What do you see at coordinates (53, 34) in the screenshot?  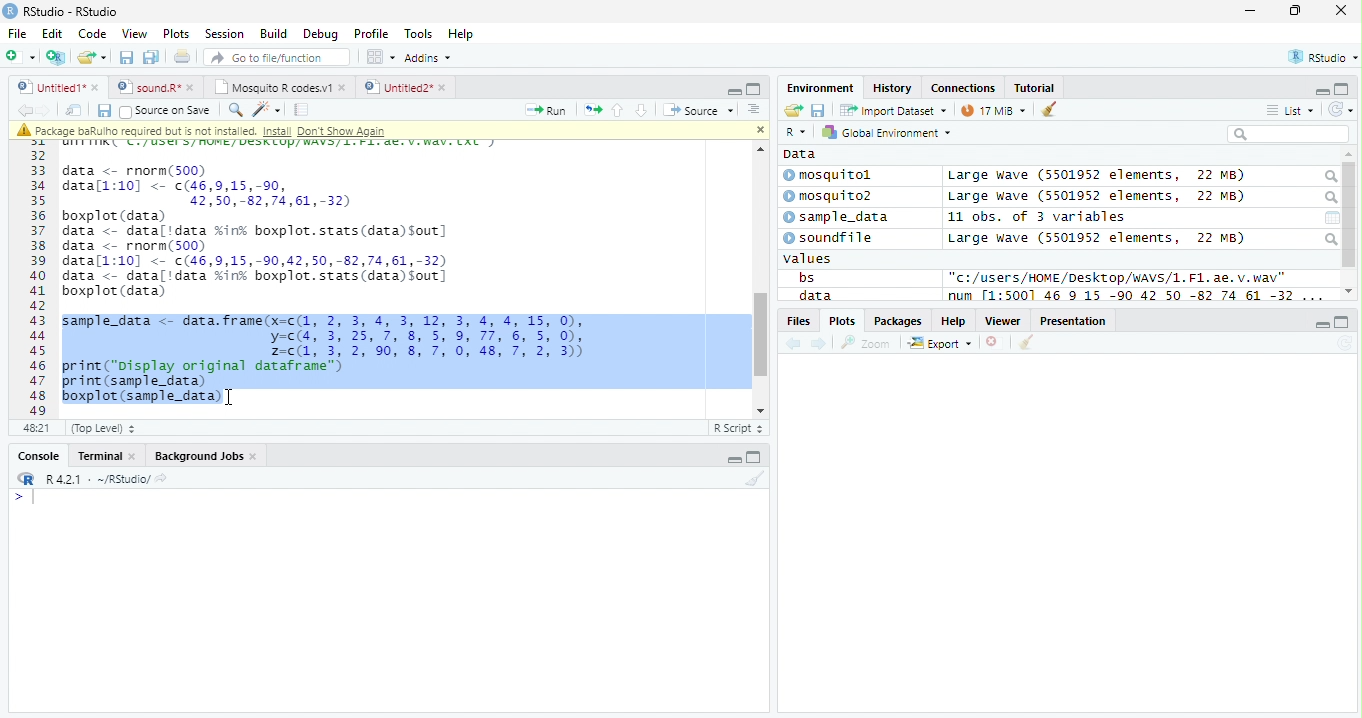 I see `Edit` at bounding box center [53, 34].